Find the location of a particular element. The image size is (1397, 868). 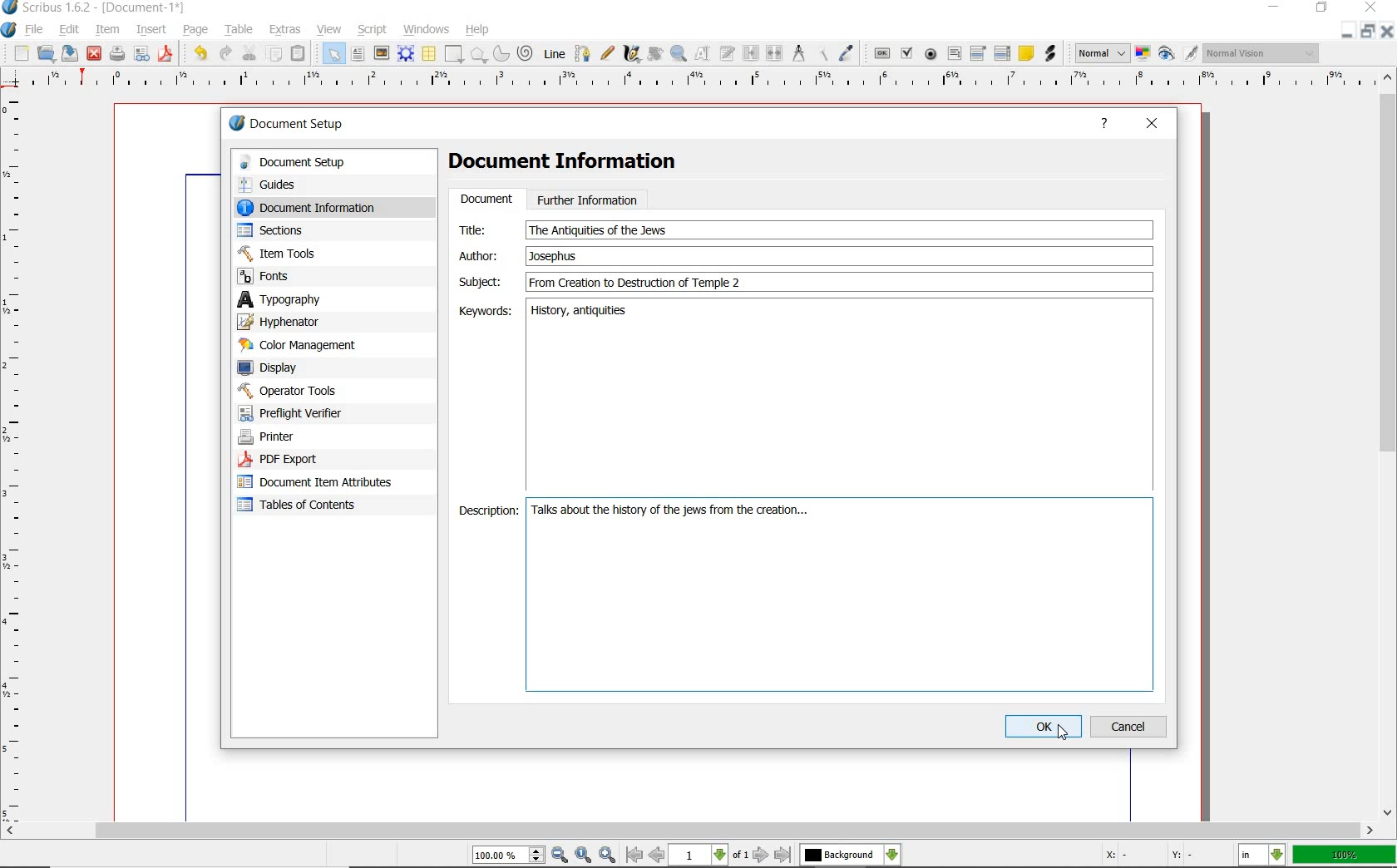

close is located at coordinates (1153, 125).